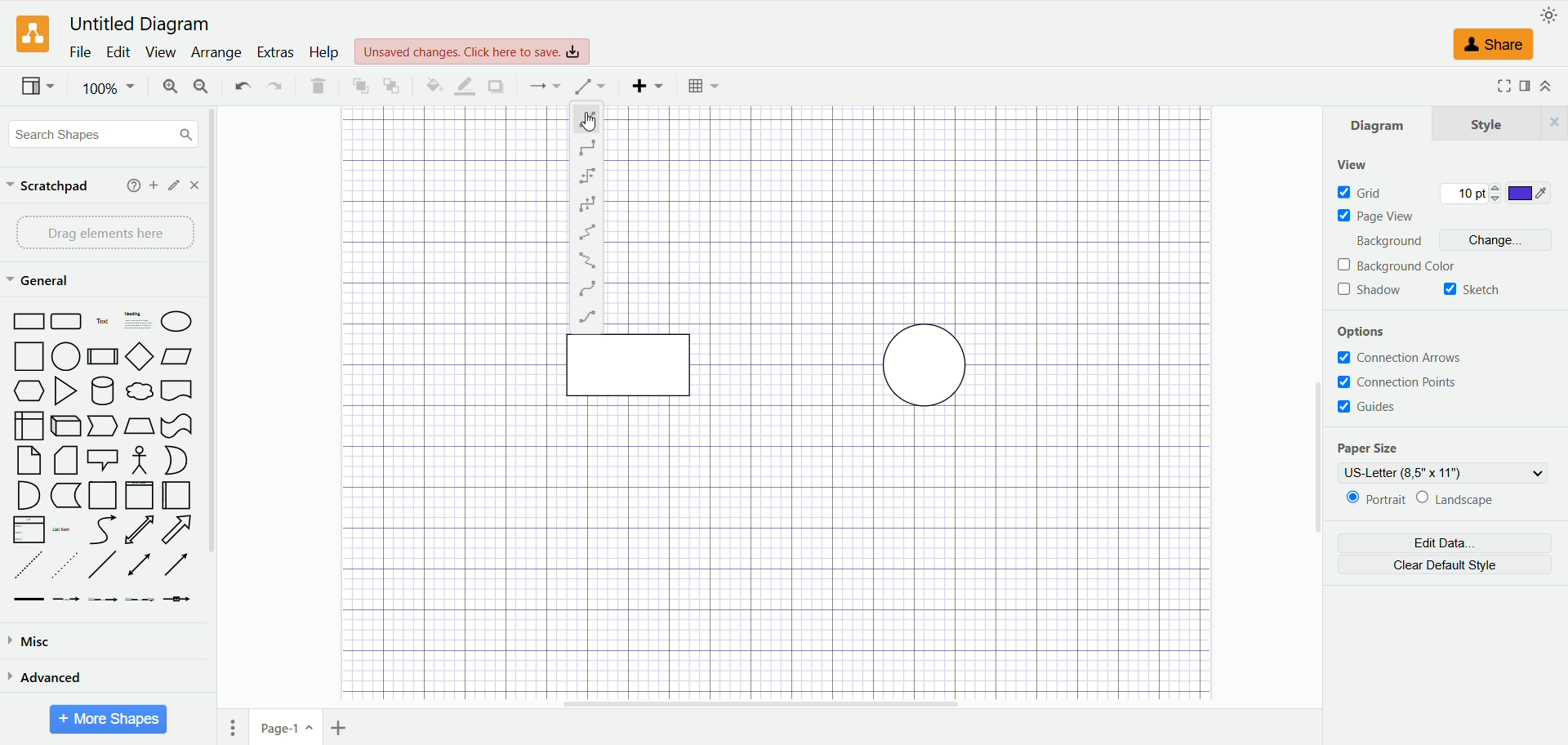 The height and width of the screenshot is (745, 1568). Describe the element at coordinates (1454, 498) in the screenshot. I see `landscape` at that location.